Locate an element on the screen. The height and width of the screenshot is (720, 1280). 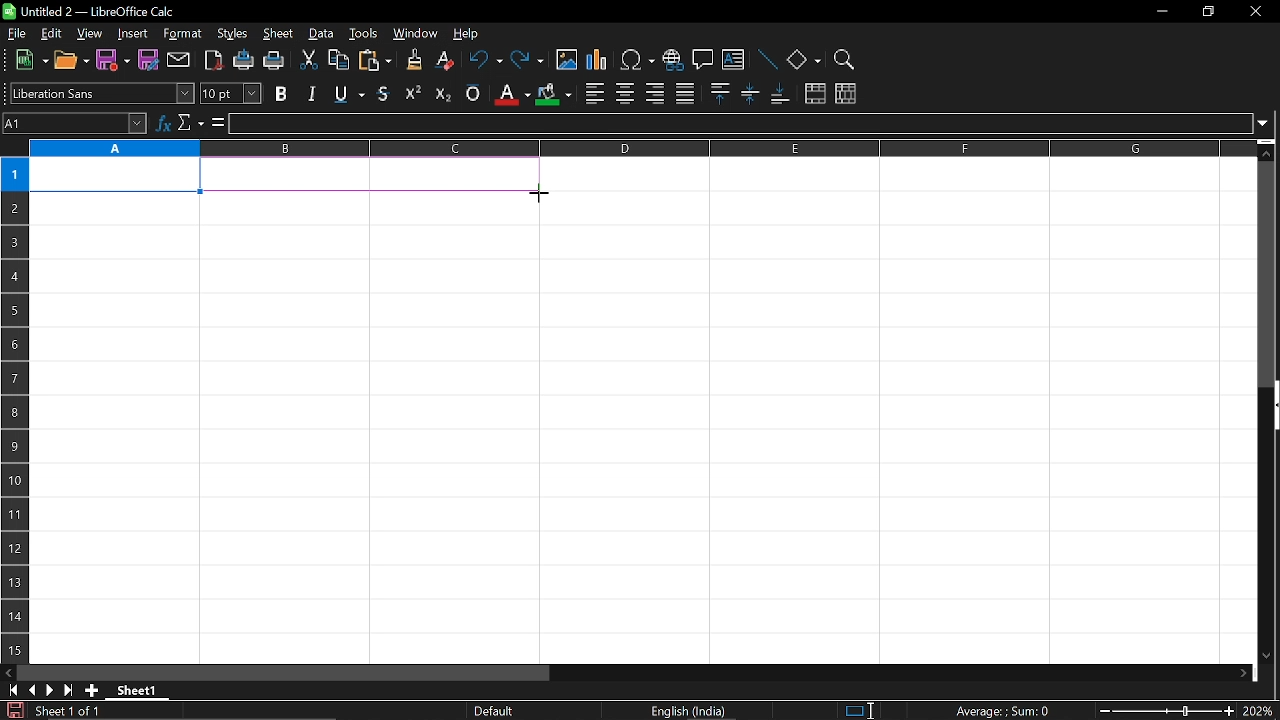
Cursor is located at coordinates (541, 193).